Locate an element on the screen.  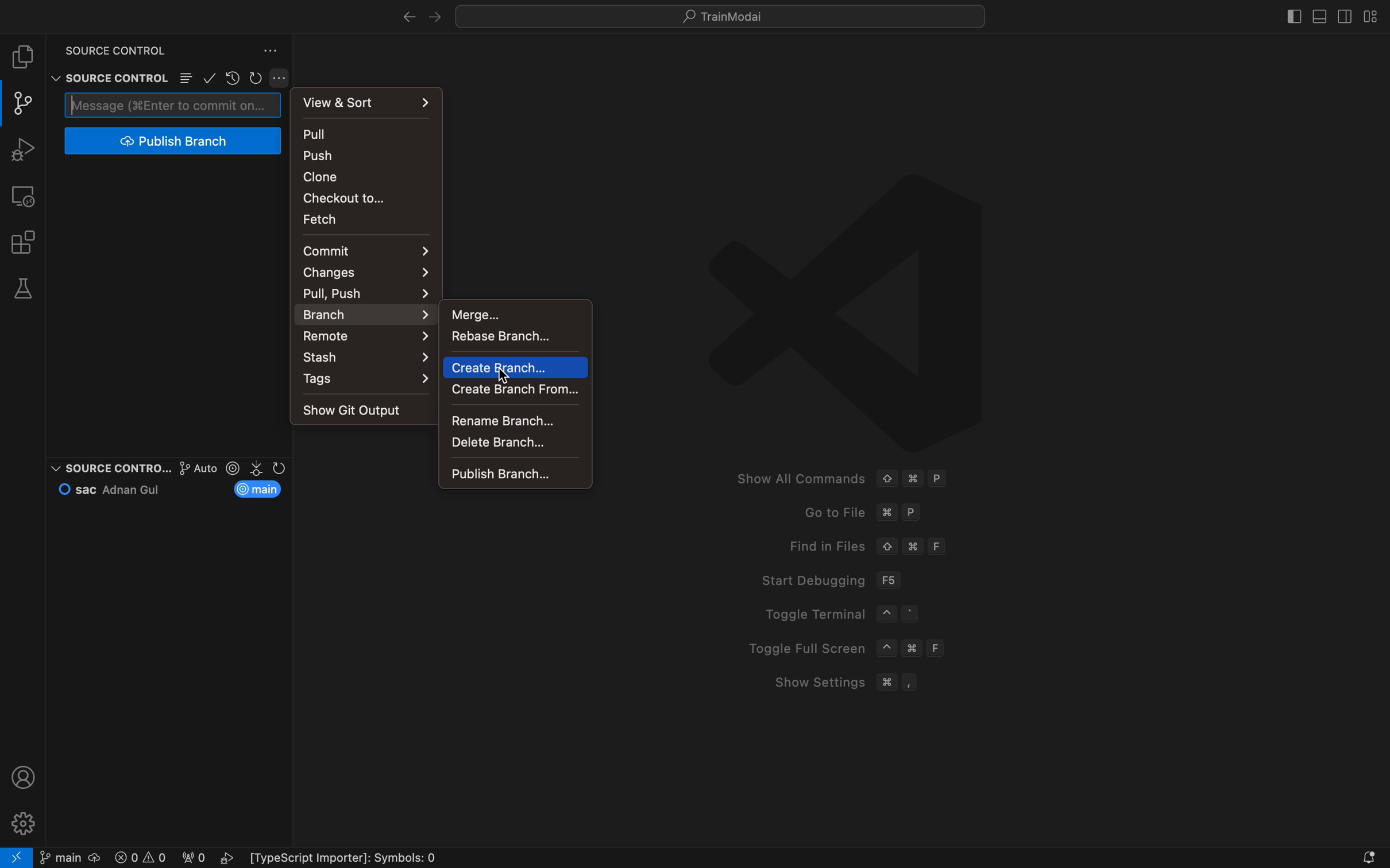
commit and author name is located at coordinates (115, 489).